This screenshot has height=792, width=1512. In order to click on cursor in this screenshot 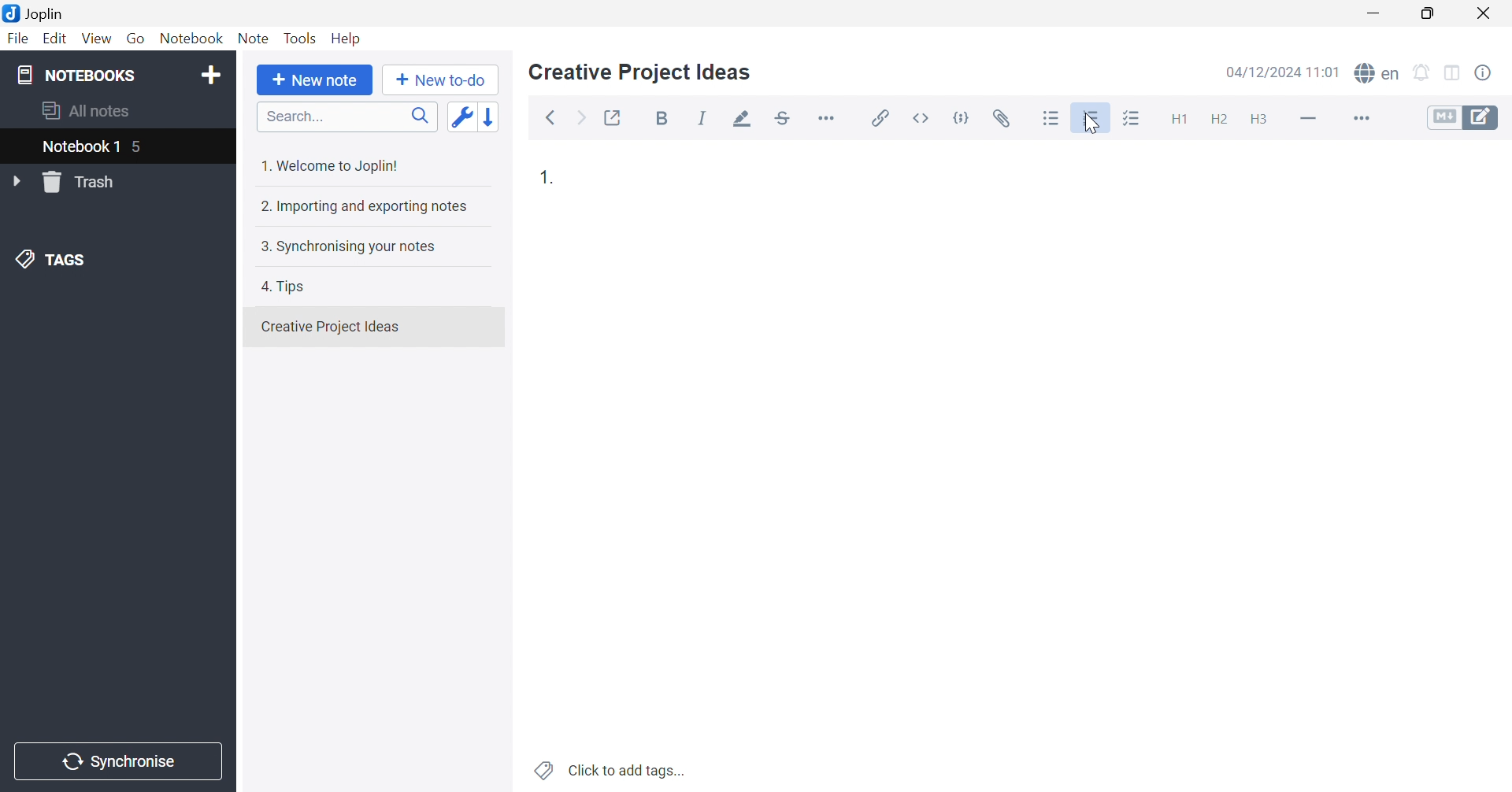, I will do `click(1093, 126)`.